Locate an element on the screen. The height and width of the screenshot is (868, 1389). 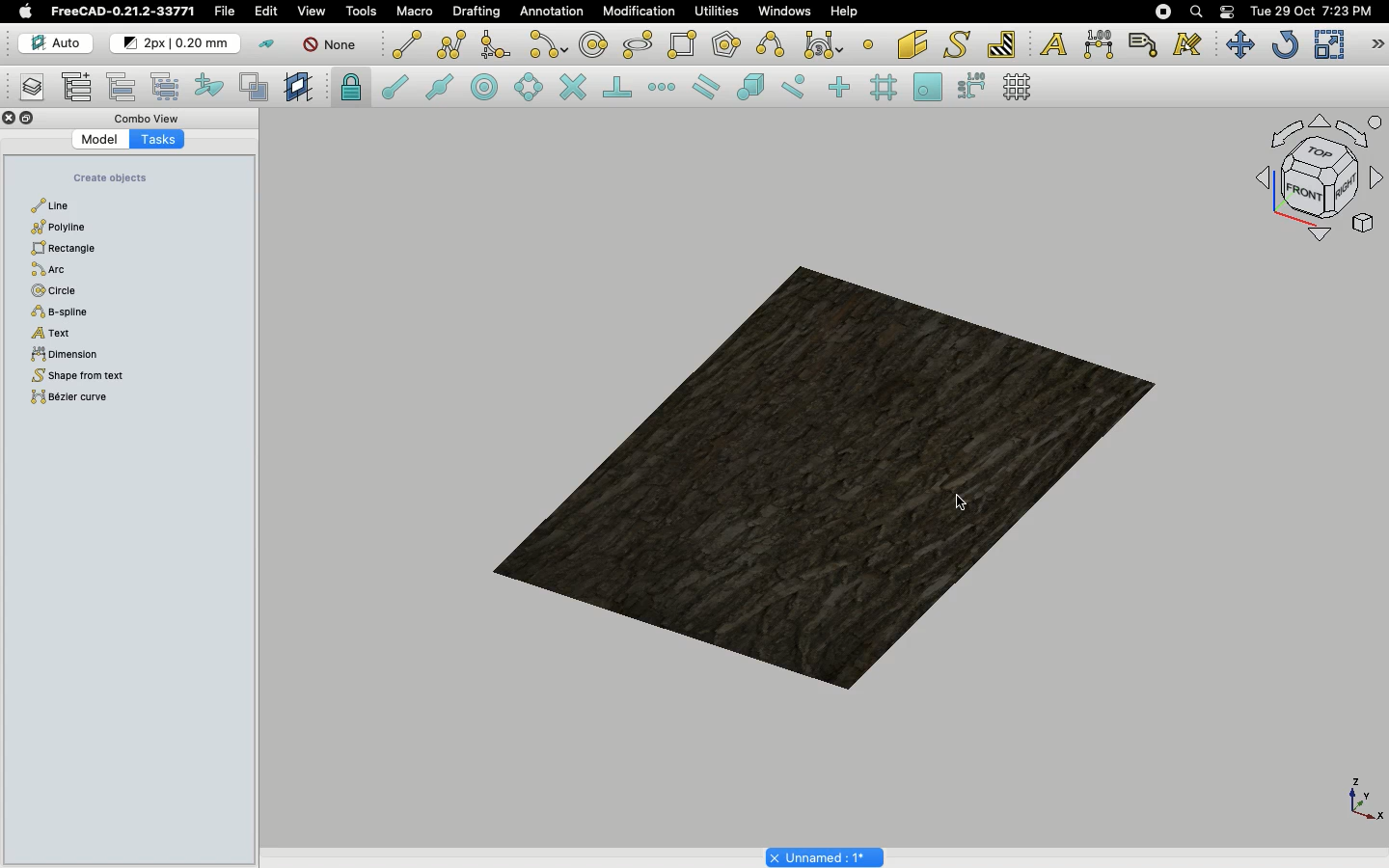
Annotation is located at coordinates (553, 12).